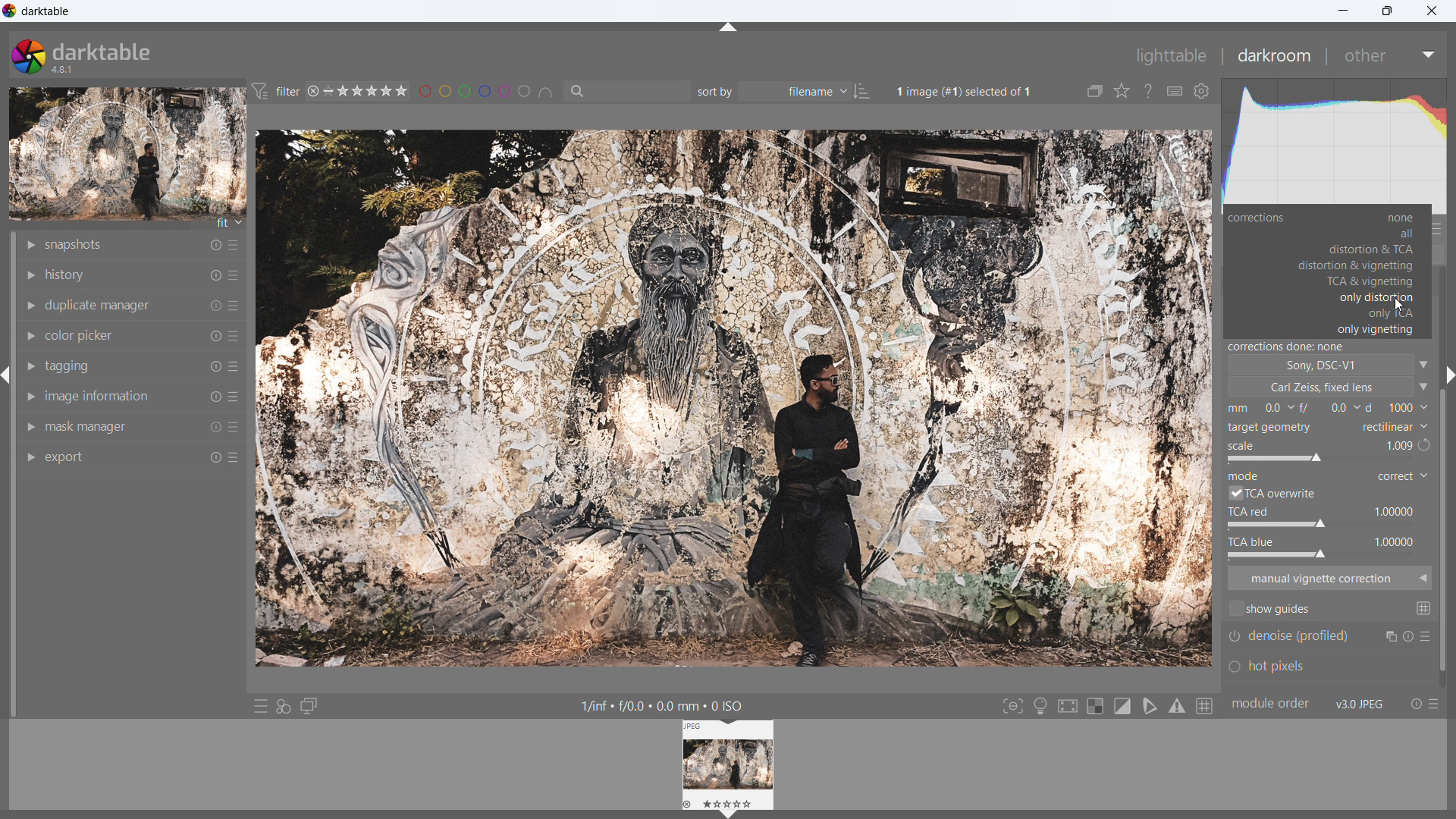 This screenshot has height=819, width=1456. Describe the element at coordinates (1360, 233) in the screenshot. I see `all` at that location.